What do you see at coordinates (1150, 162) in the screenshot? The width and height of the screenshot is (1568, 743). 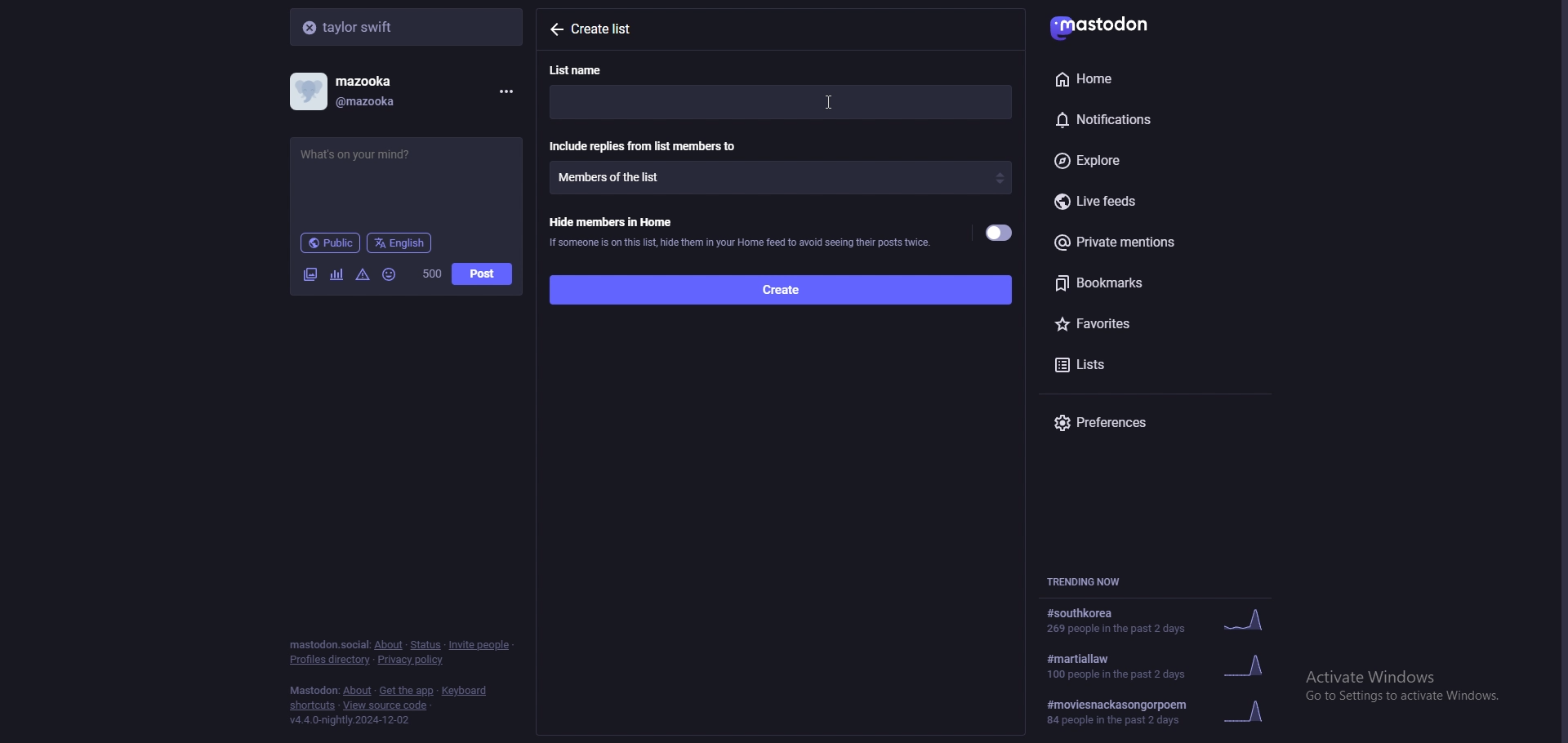 I see `explore` at bounding box center [1150, 162].